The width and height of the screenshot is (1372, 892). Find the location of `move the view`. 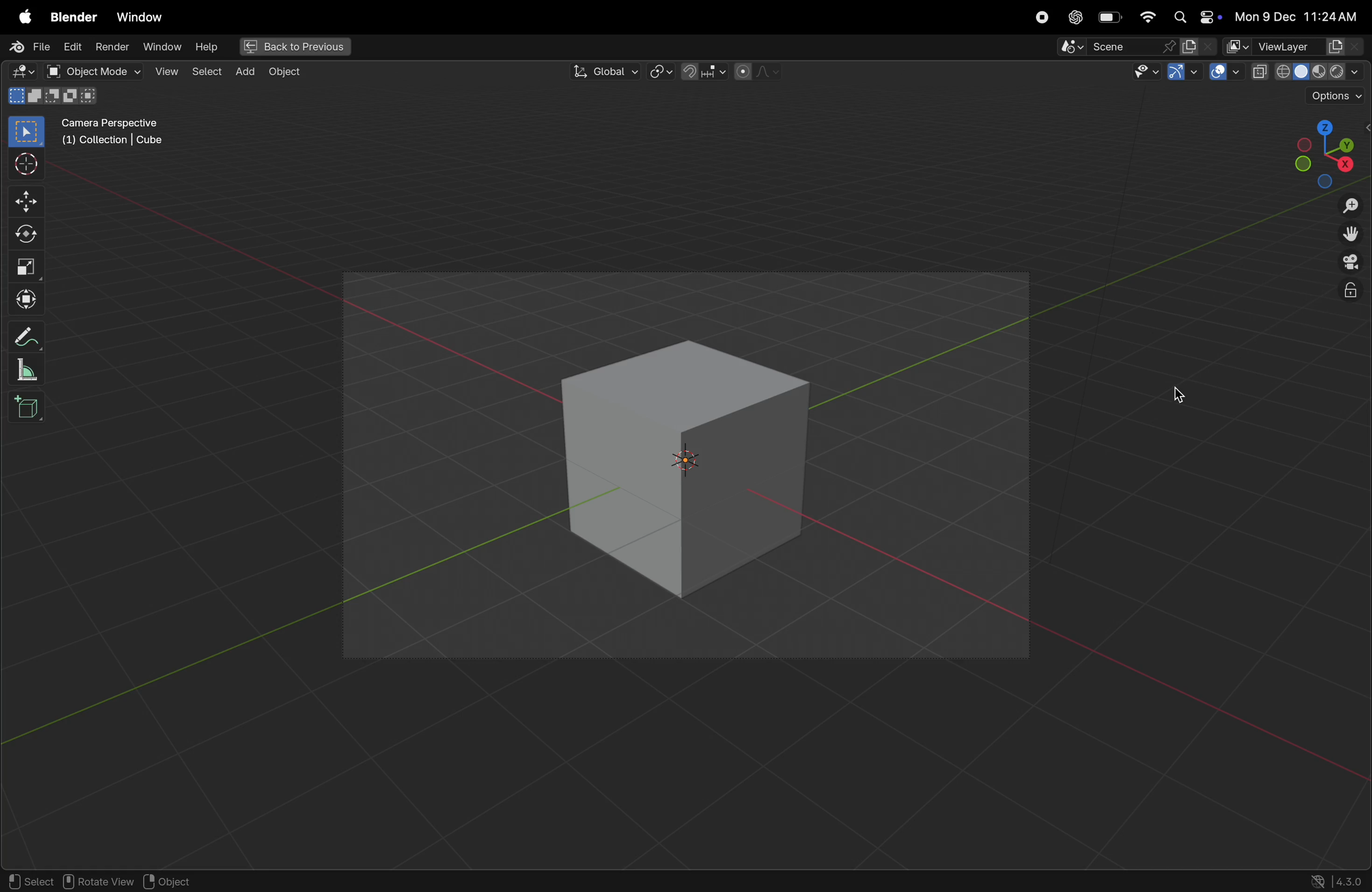

move the view is located at coordinates (1351, 235).